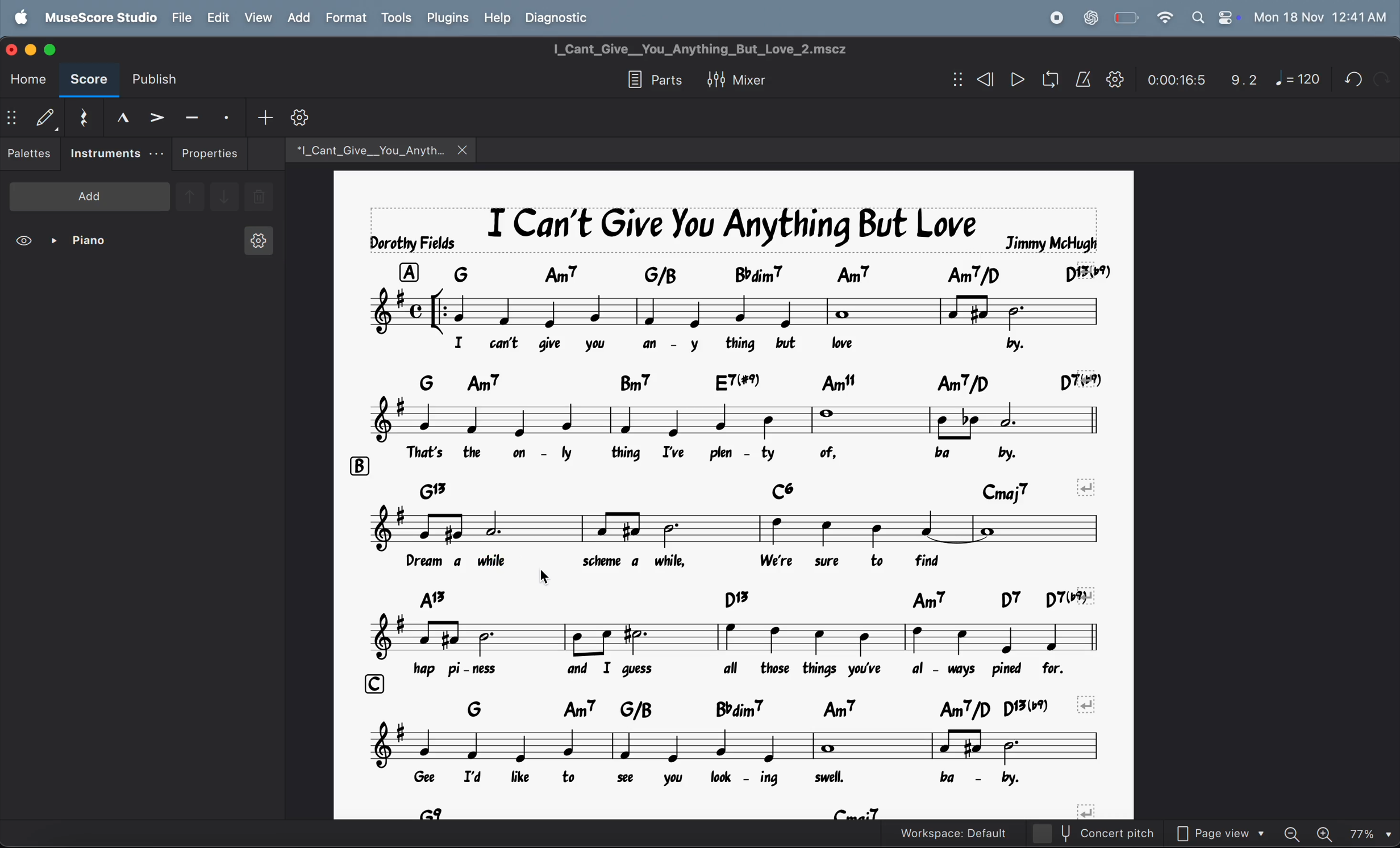 The height and width of the screenshot is (848, 1400). What do you see at coordinates (14, 51) in the screenshot?
I see `close` at bounding box center [14, 51].